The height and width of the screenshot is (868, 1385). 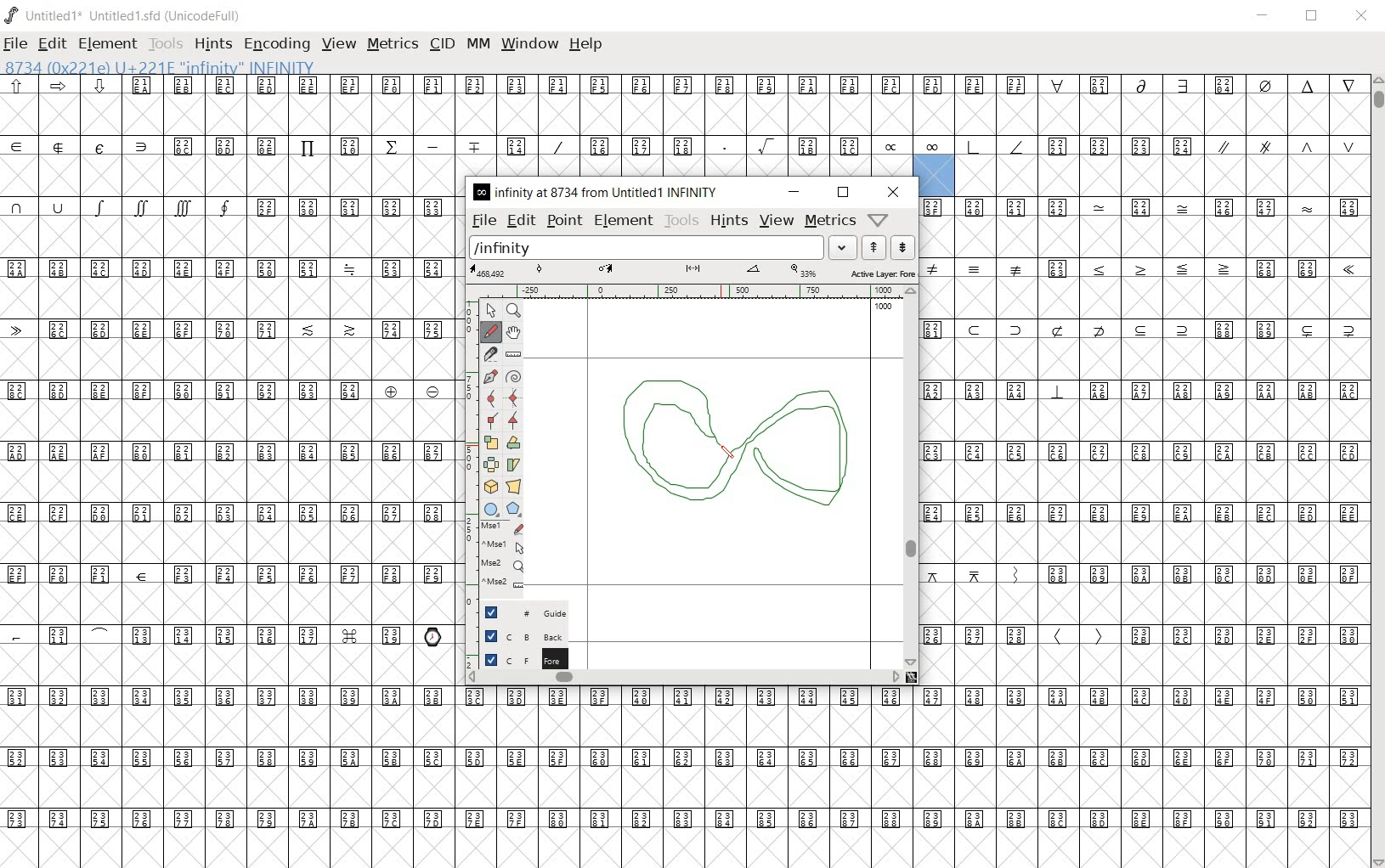 What do you see at coordinates (490, 464) in the screenshot?
I see `flip the selection` at bounding box center [490, 464].